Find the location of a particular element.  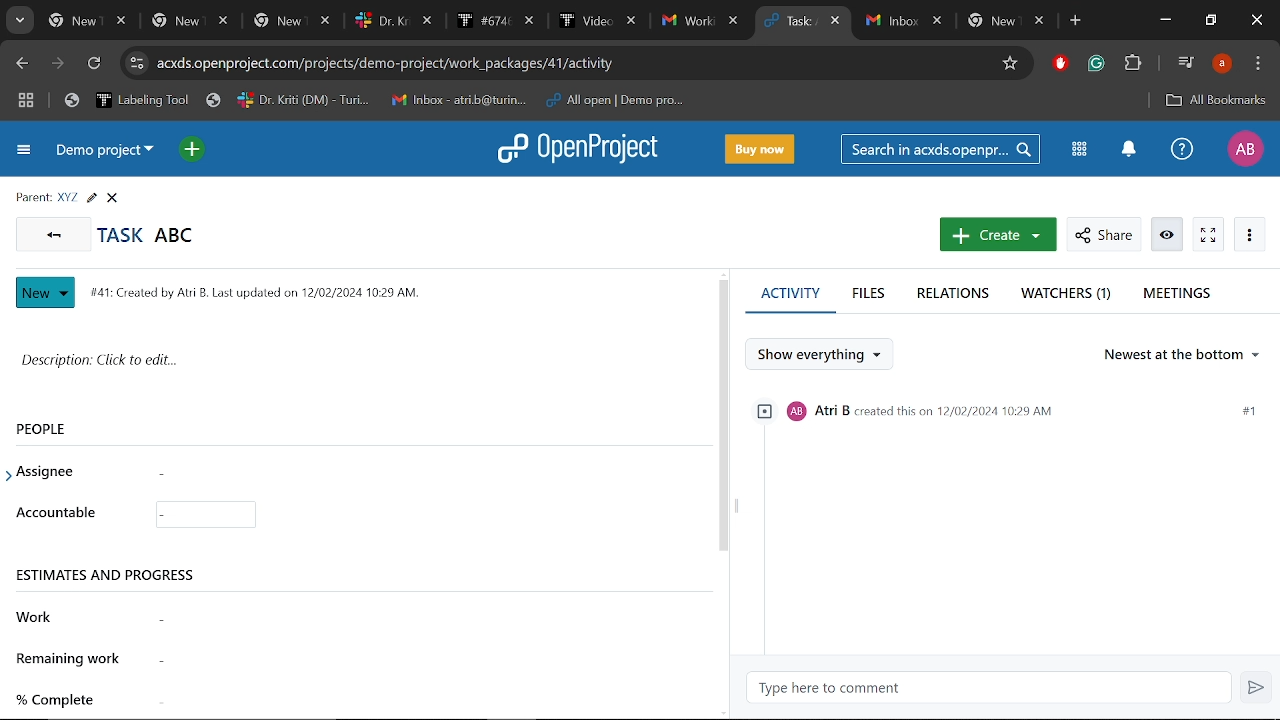

Go back is located at coordinates (51, 233).